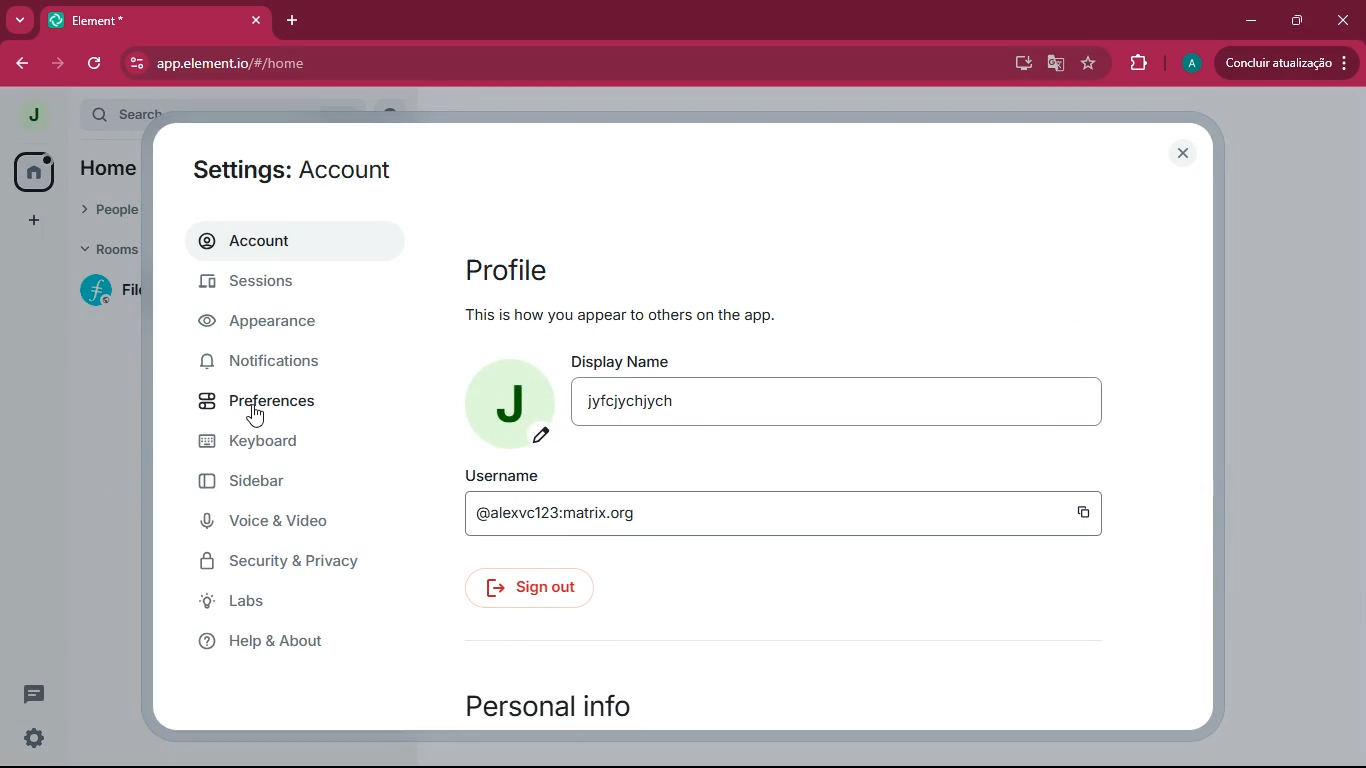 This screenshot has height=768, width=1366. What do you see at coordinates (256, 415) in the screenshot?
I see `cursor` at bounding box center [256, 415].